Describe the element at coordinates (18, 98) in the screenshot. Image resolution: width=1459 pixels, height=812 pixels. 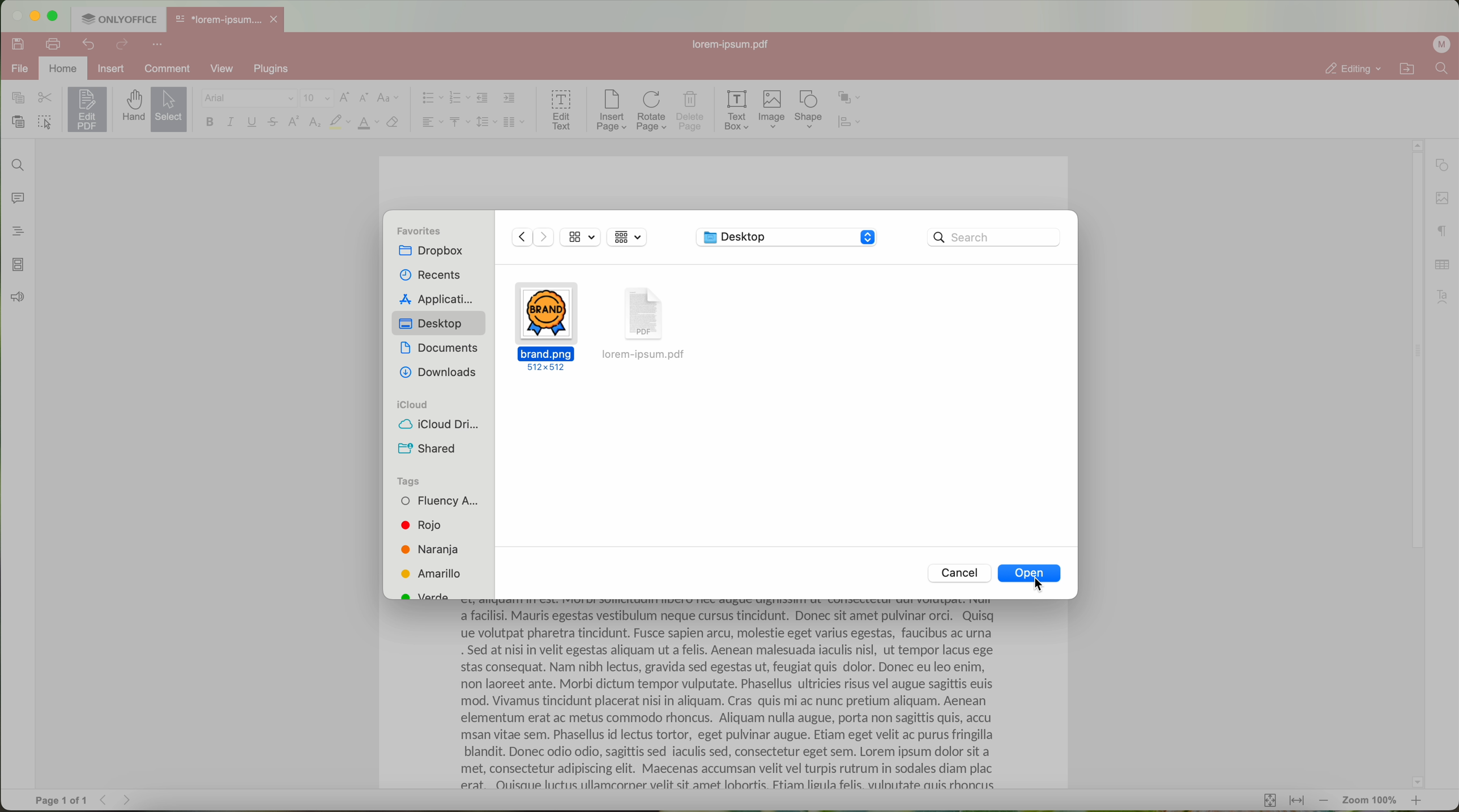
I see `copy` at that location.